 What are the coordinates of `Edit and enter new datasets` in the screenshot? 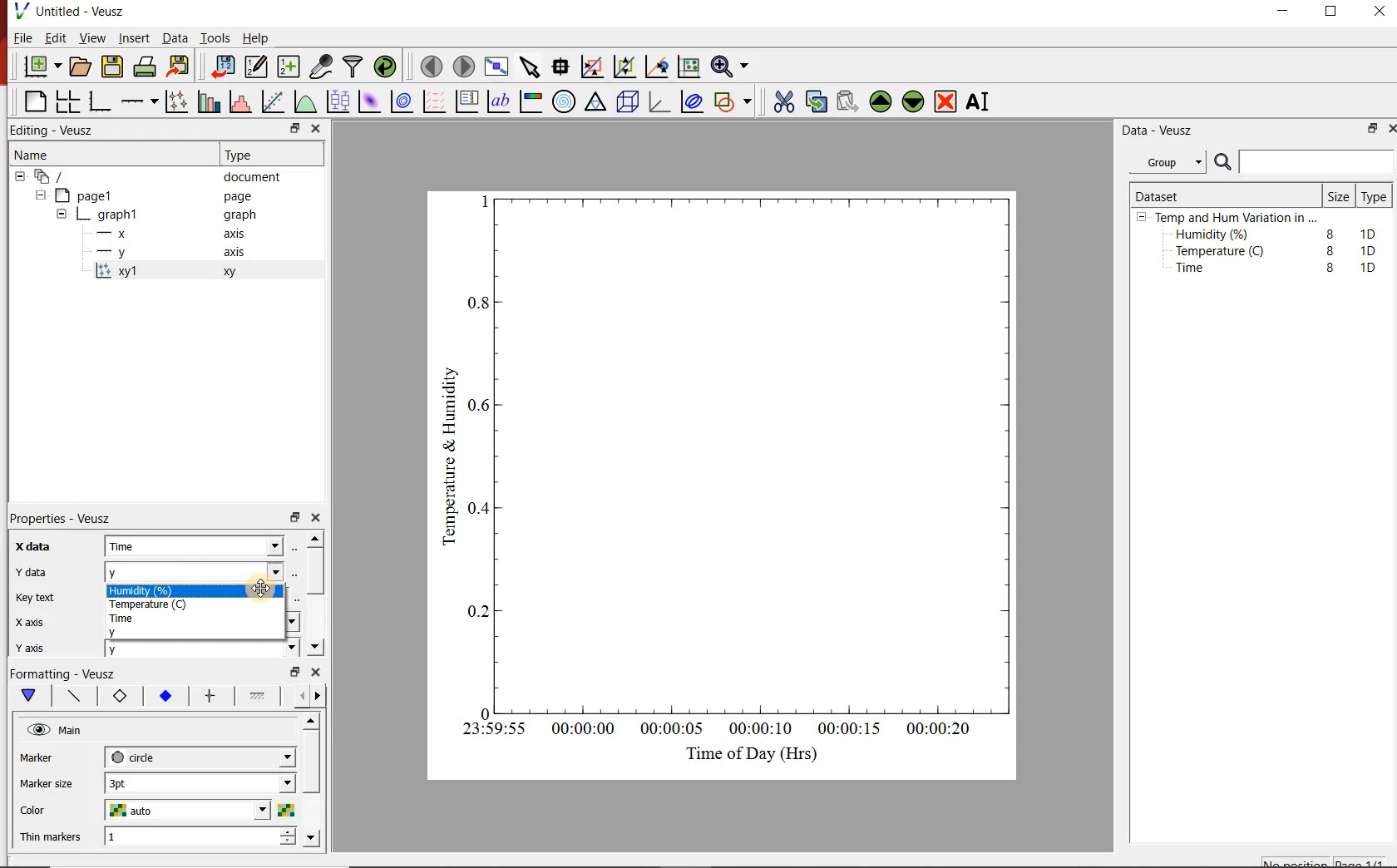 It's located at (257, 67).